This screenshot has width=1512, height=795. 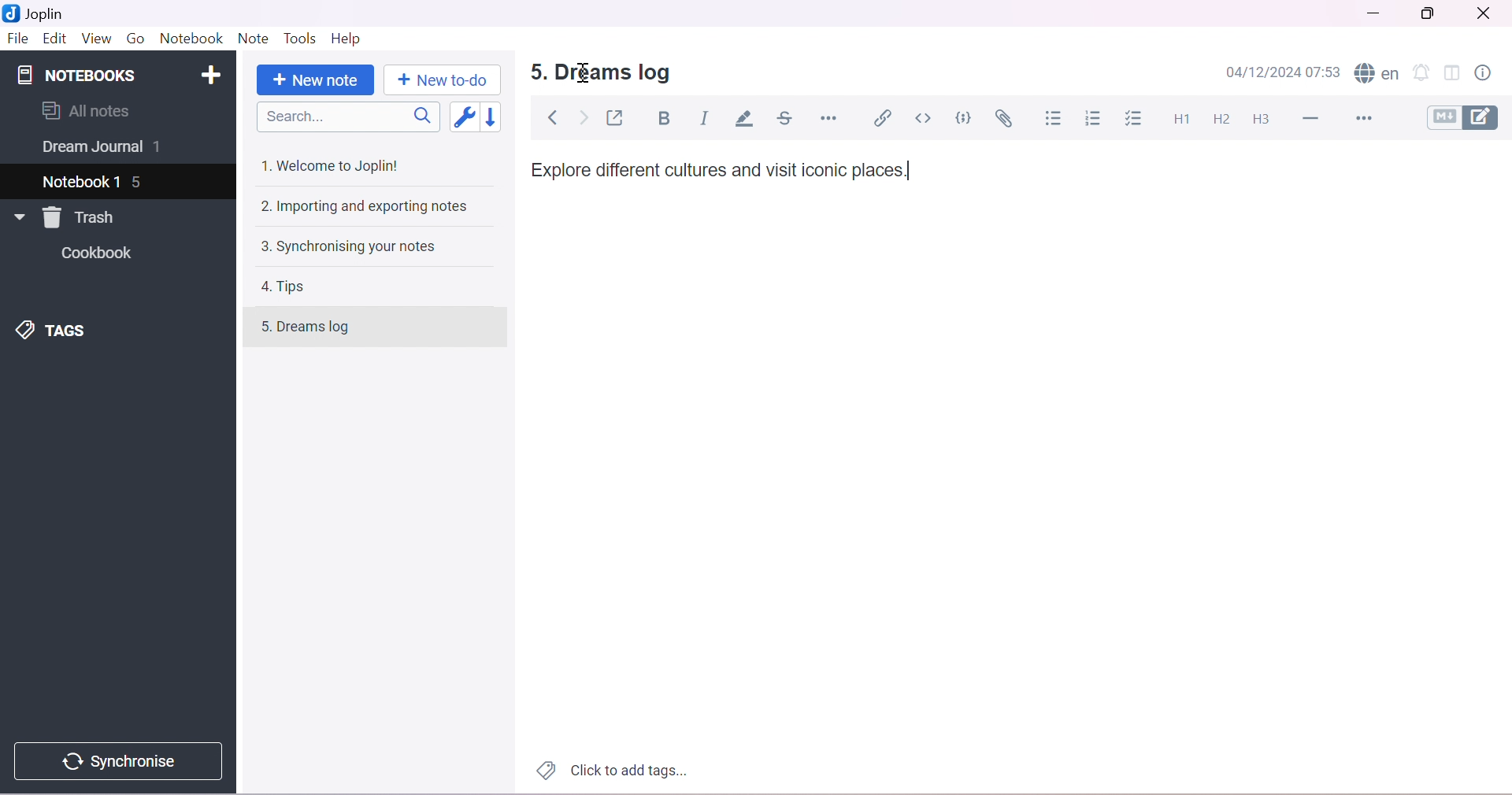 What do you see at coordinates (1137, 119) in the screenshot?
I see `Checkbox` at bounding box center [1137, 119].